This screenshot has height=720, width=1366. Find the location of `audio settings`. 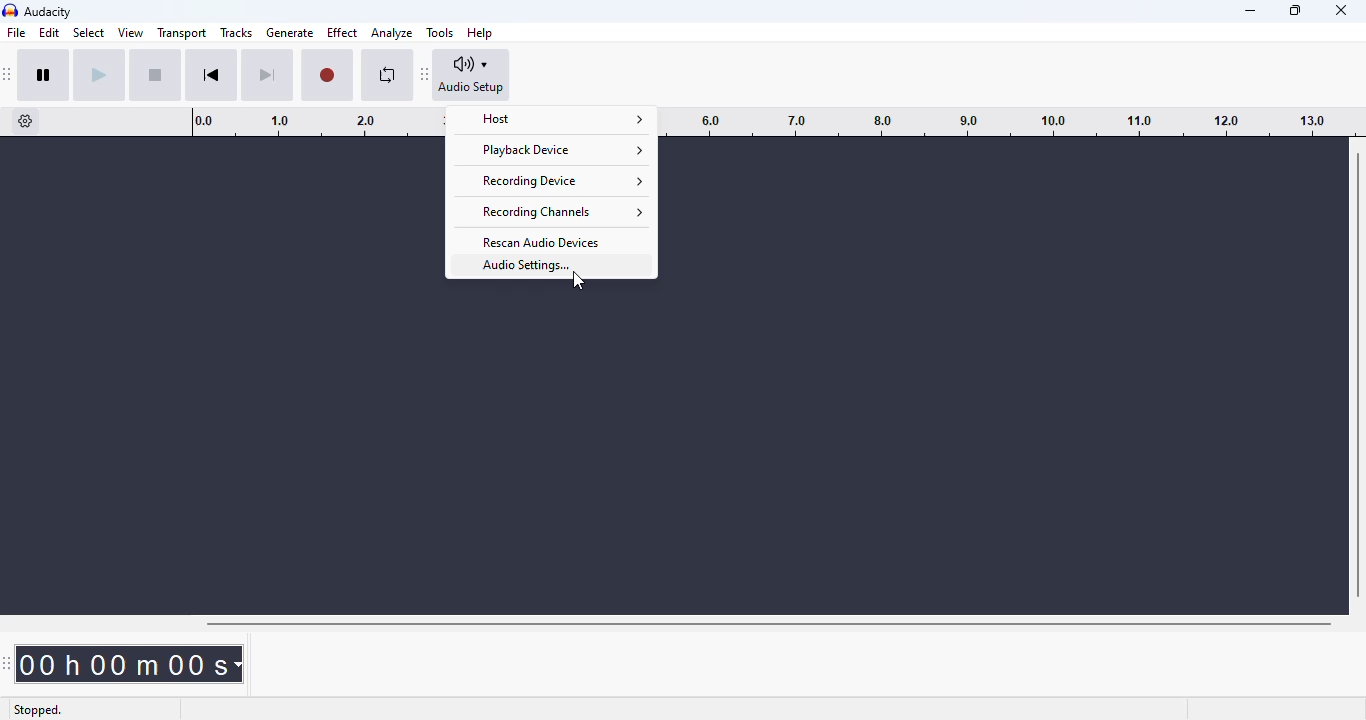

audio settings is located at coordinates (550, 265).